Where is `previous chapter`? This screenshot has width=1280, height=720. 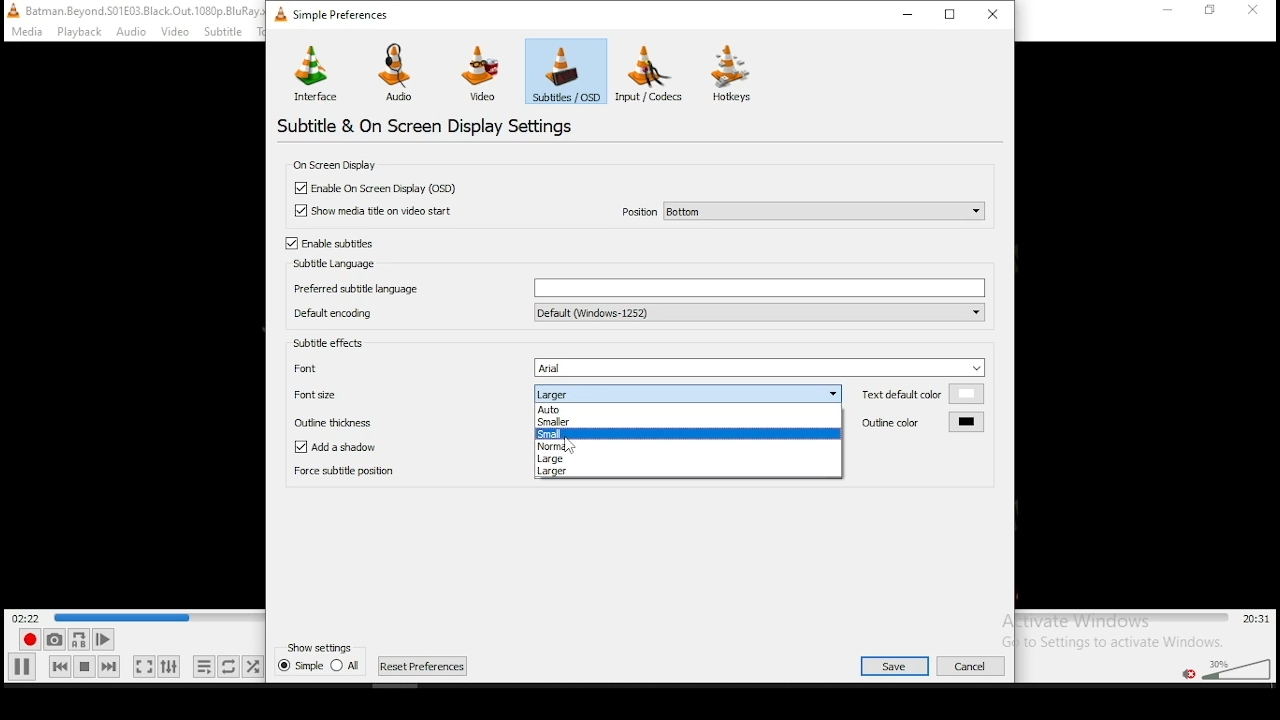 previous chapter is located at coordinates (320, 670).